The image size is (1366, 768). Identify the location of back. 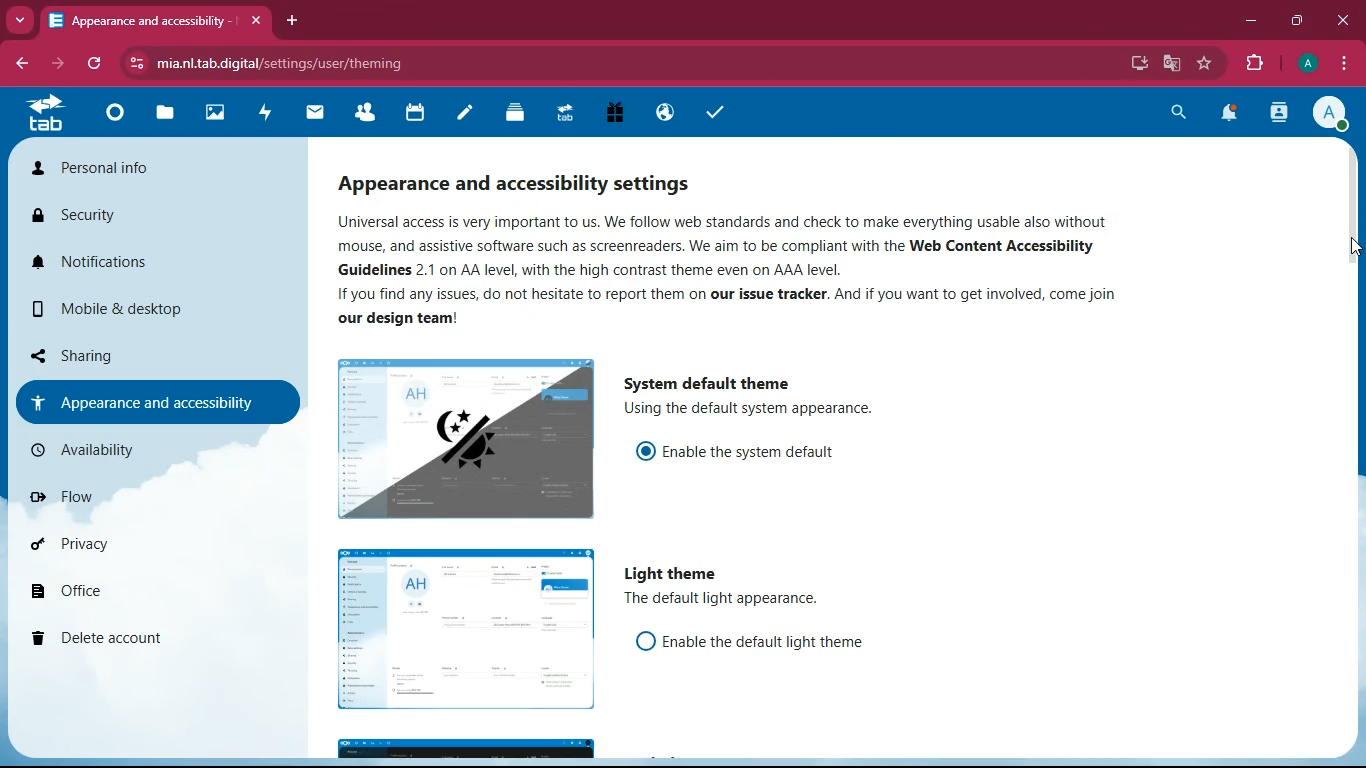
(26, 63).